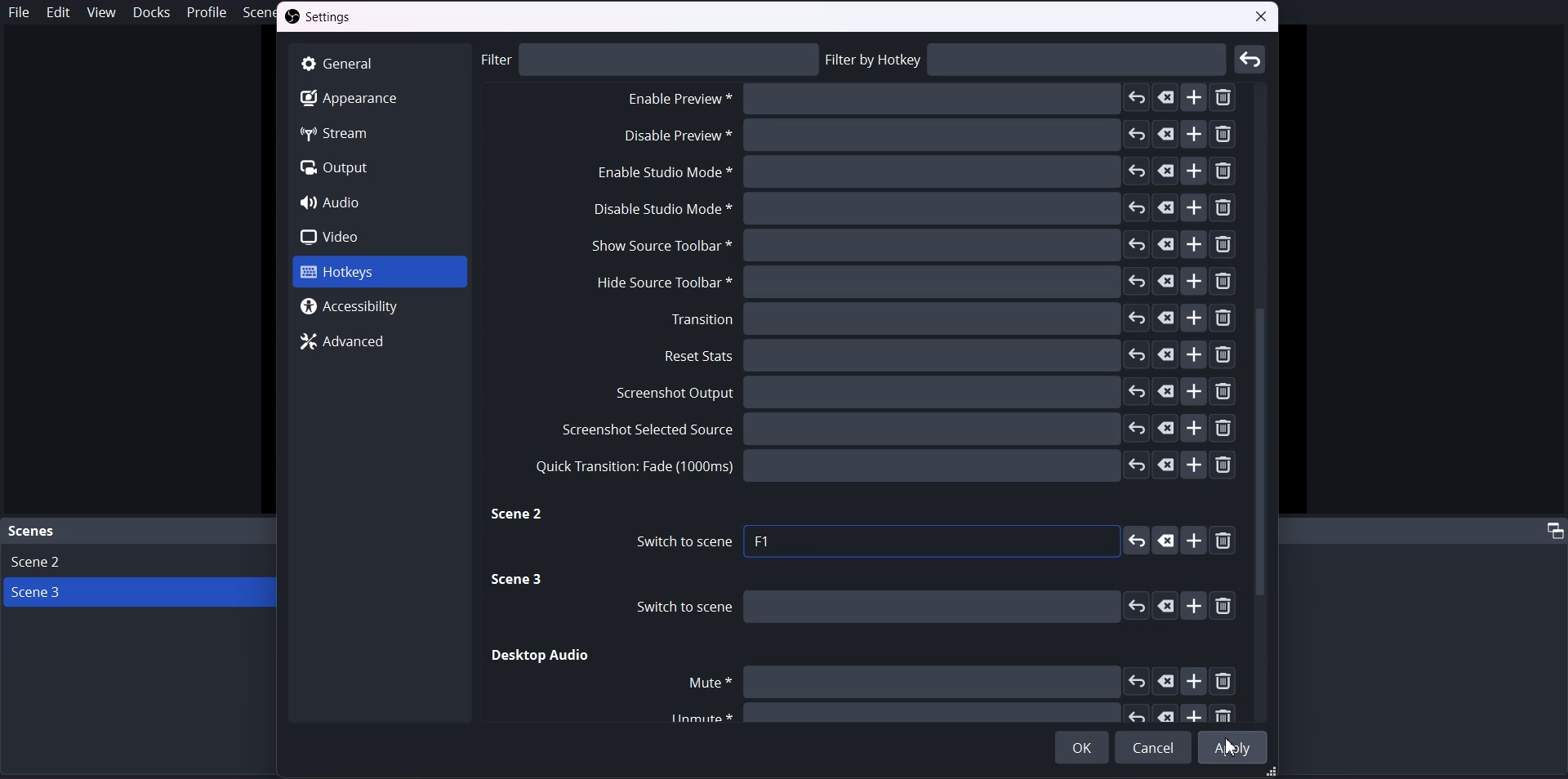 The width and height of the screenshot is (1568, 779). I want to click on reload, so click(1136, 541).